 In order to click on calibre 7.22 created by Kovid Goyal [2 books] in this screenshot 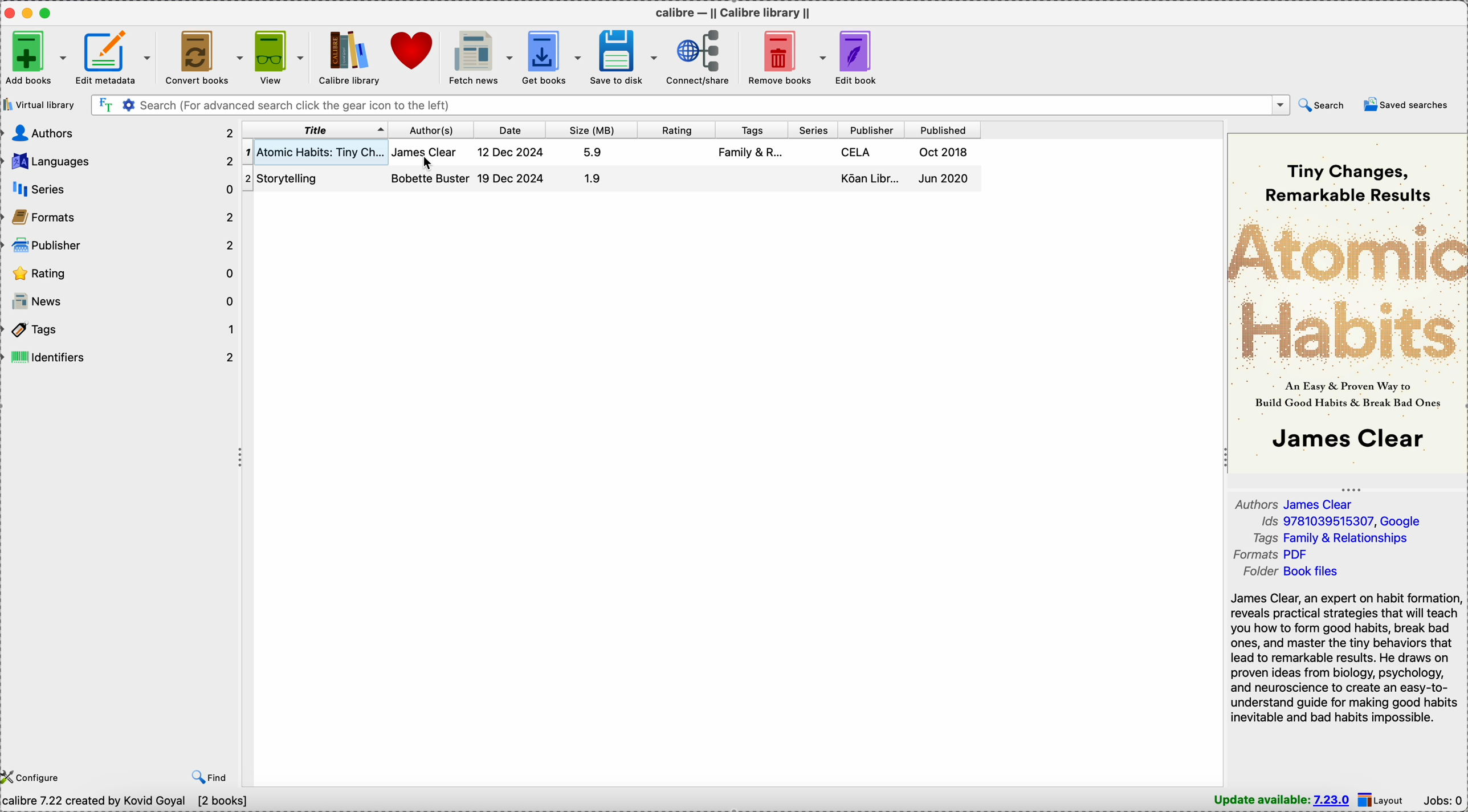, I will do `click(129, 803)`.